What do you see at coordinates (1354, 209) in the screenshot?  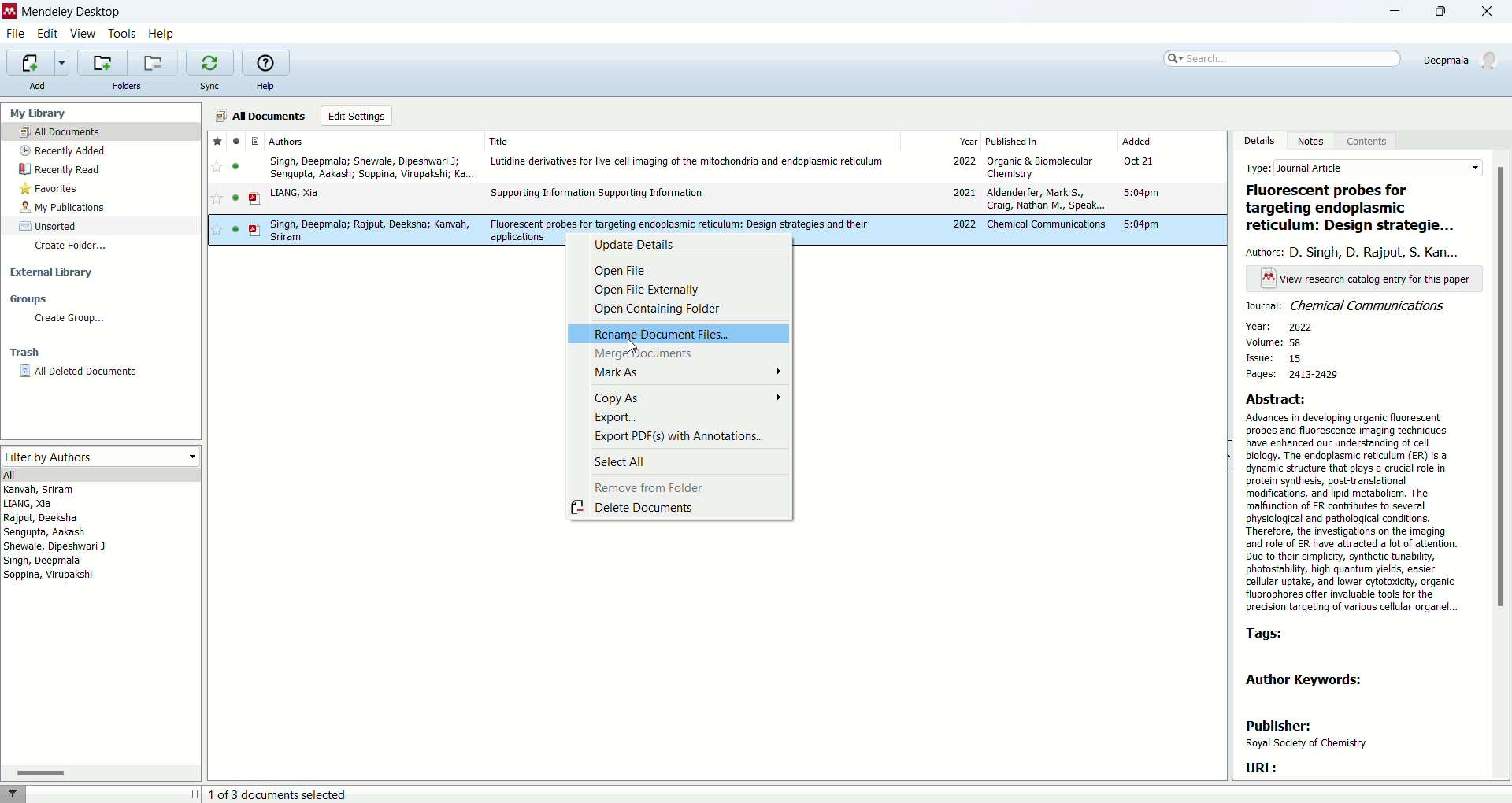 I see `title` at bounding box center [1354, 209].